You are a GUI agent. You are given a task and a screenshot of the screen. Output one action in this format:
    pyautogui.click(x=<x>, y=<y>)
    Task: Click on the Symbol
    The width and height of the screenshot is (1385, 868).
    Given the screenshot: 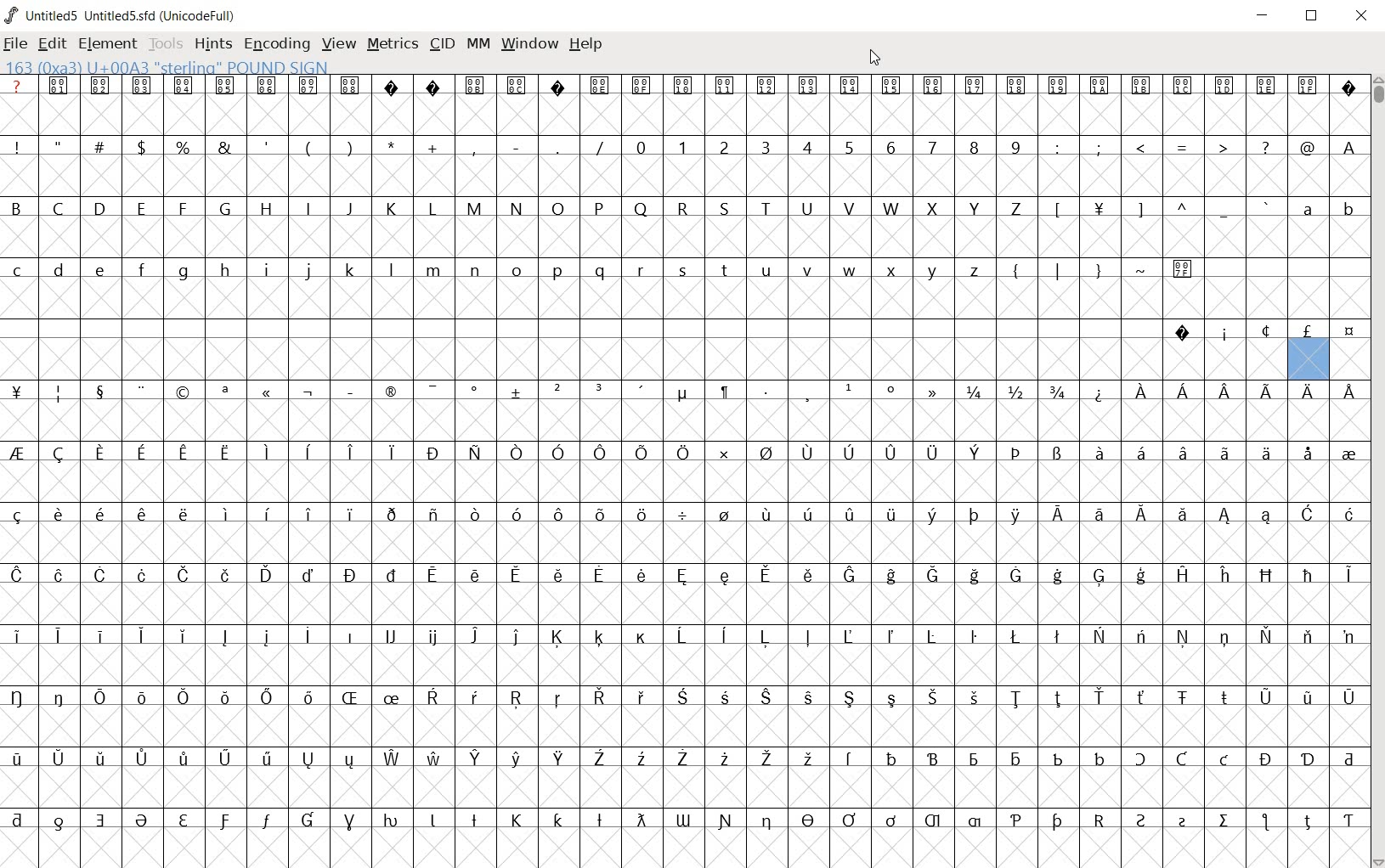 What is the action you would take?
    pyautogui.click(x=1308, y=637)
    